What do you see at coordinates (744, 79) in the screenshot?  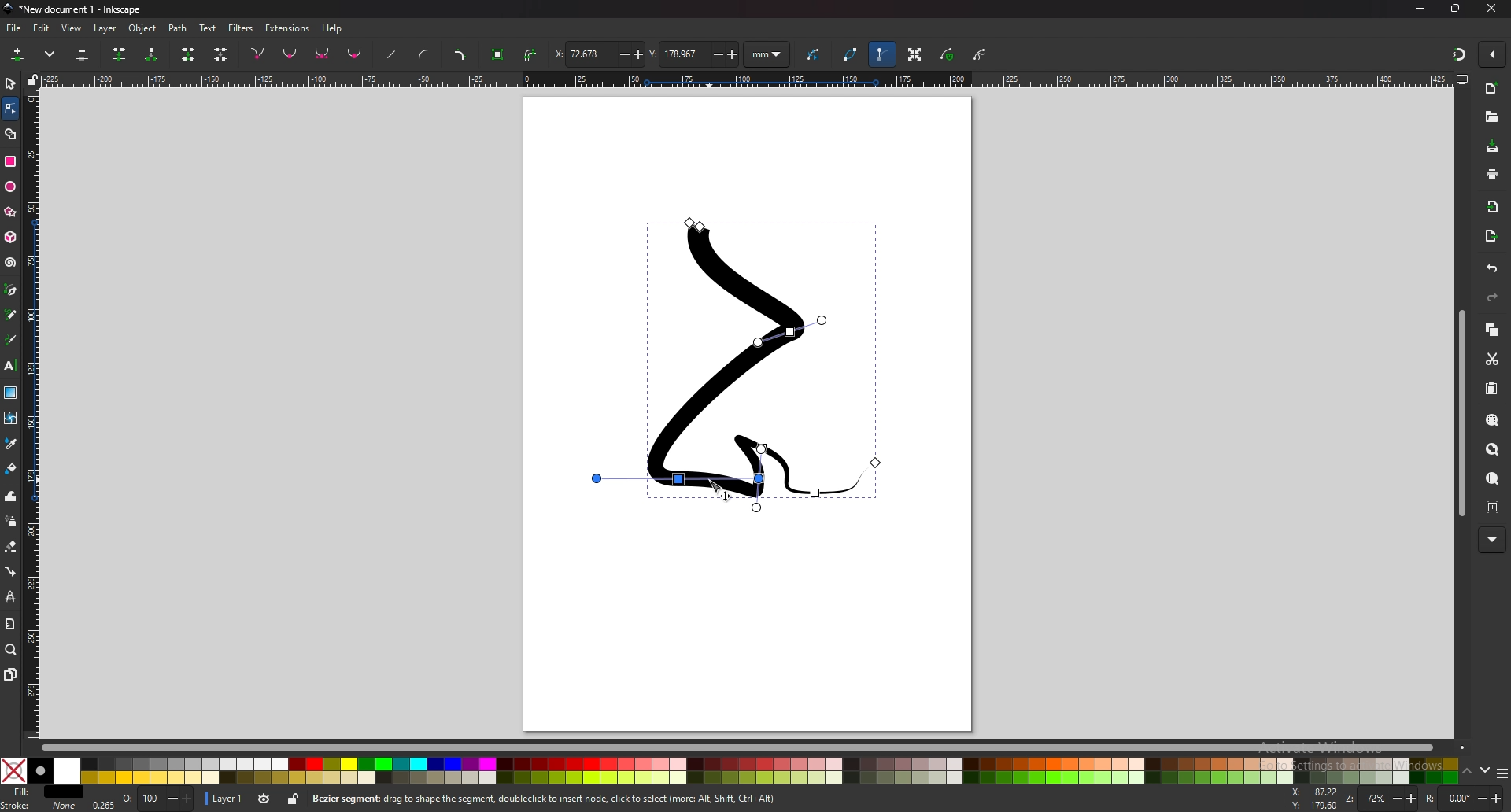 I see `horizontal scale` at bounding box center [744, 79].